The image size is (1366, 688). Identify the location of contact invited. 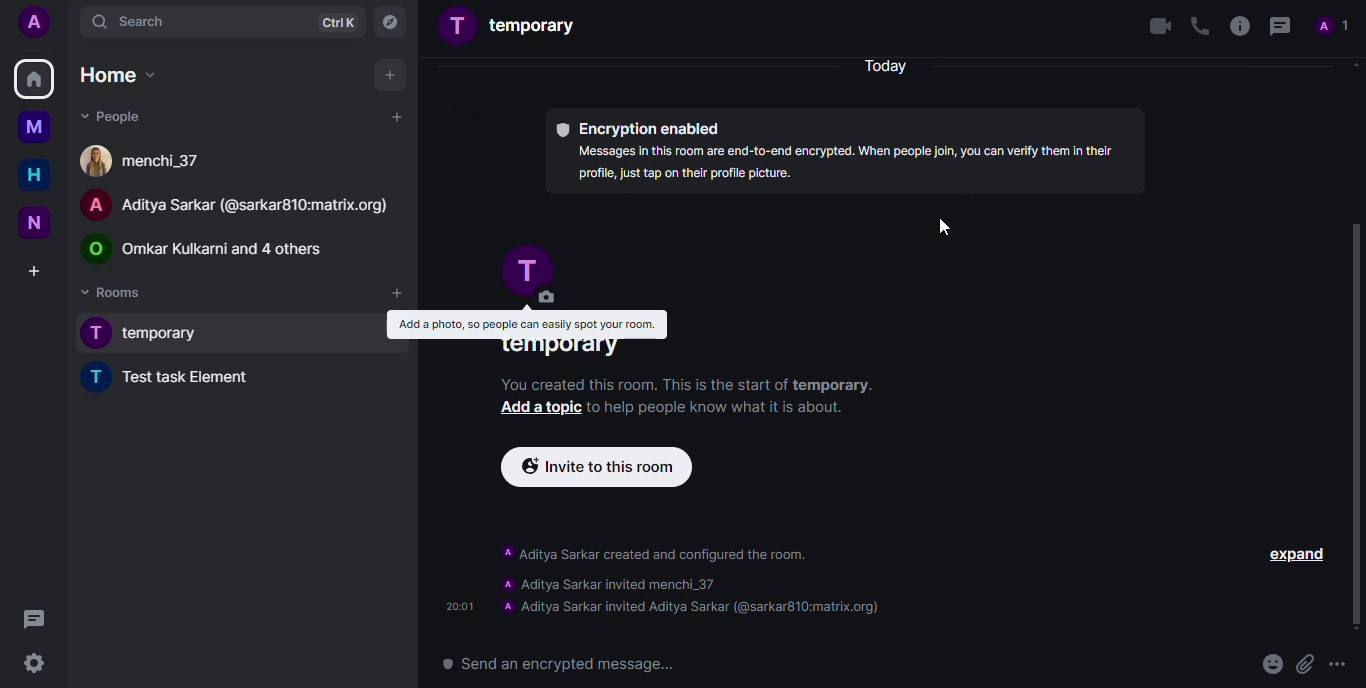
(605, 584).